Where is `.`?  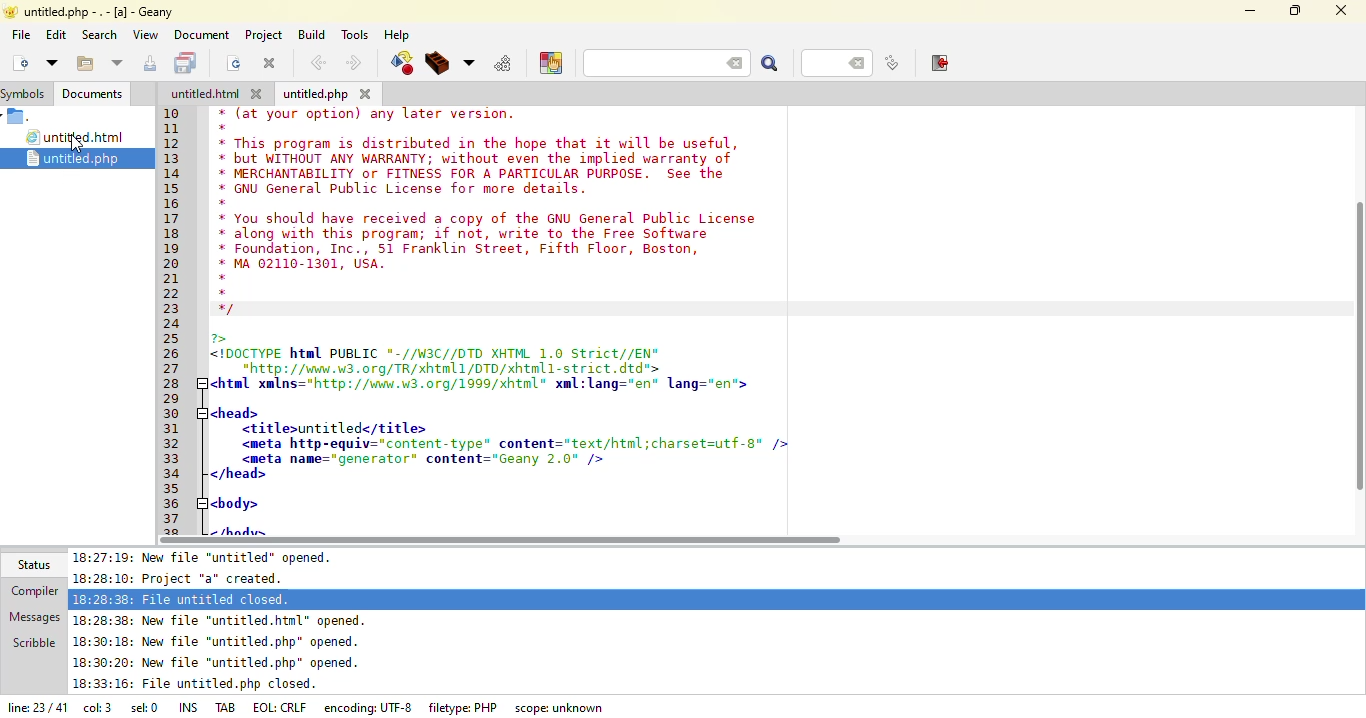
. is located at coordinates (17, 117).